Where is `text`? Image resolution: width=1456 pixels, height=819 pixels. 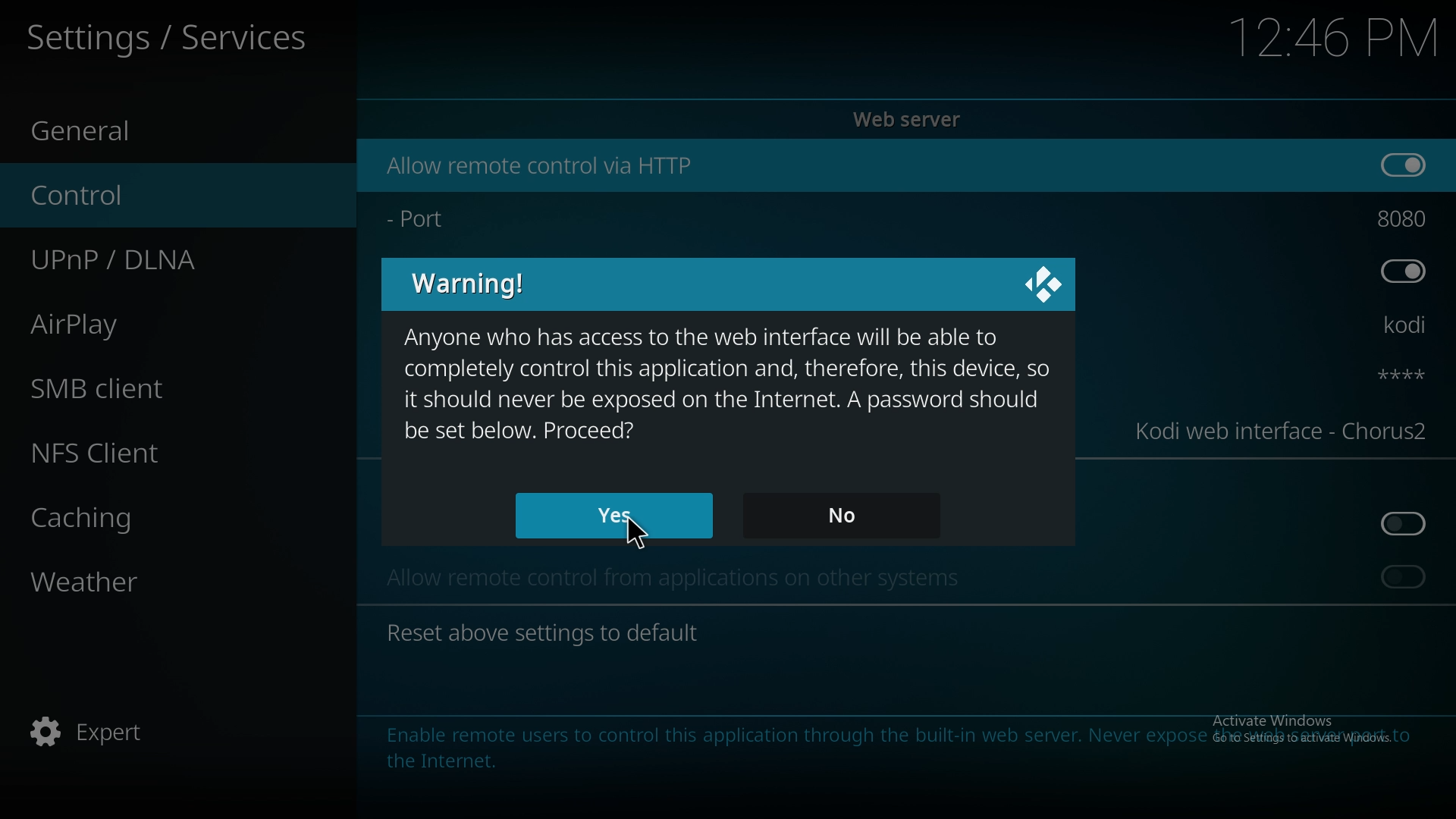 text is located at coordinates (692, 582).